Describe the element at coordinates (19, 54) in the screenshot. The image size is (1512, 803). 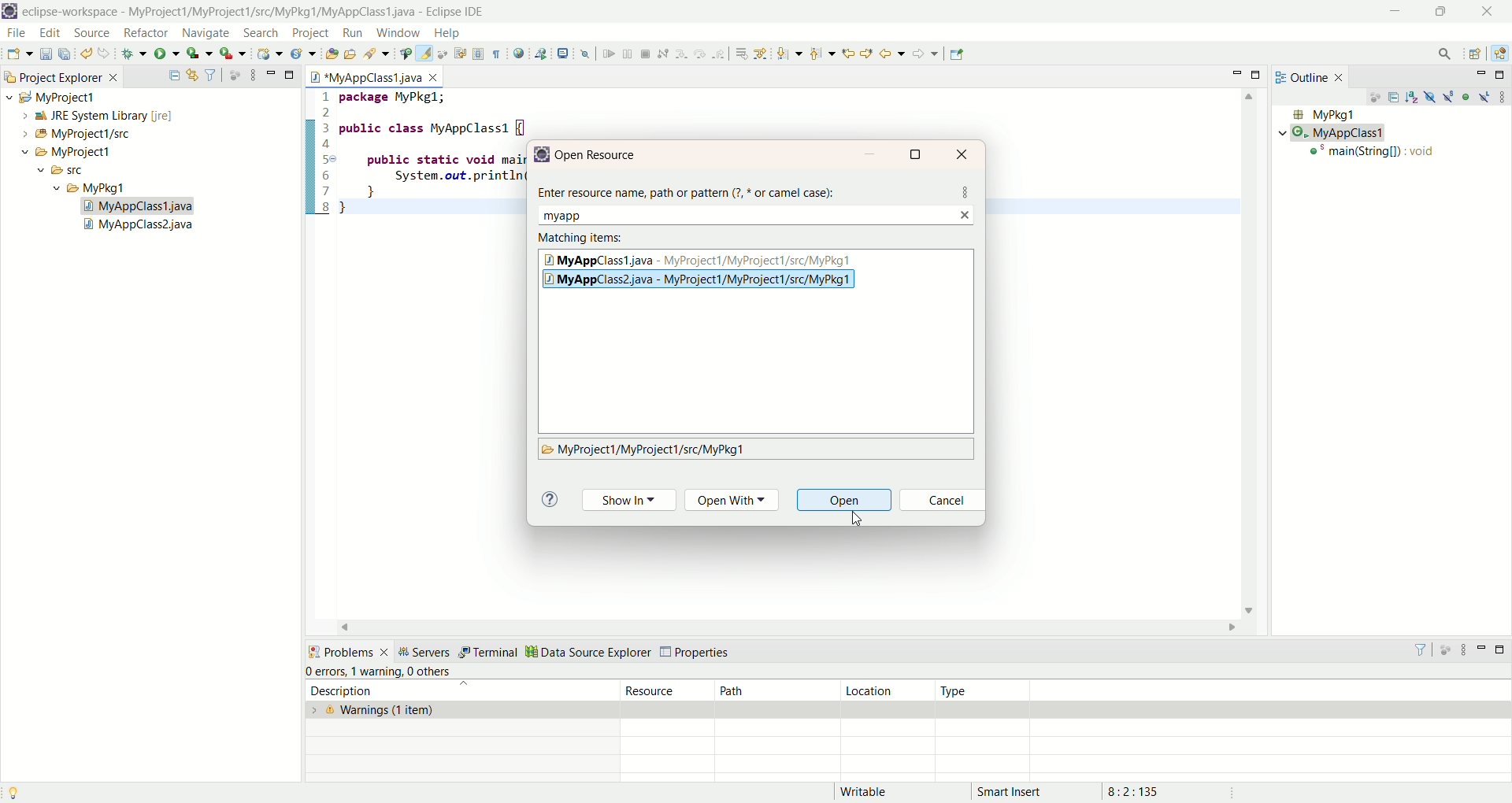
I see `new` at that location.